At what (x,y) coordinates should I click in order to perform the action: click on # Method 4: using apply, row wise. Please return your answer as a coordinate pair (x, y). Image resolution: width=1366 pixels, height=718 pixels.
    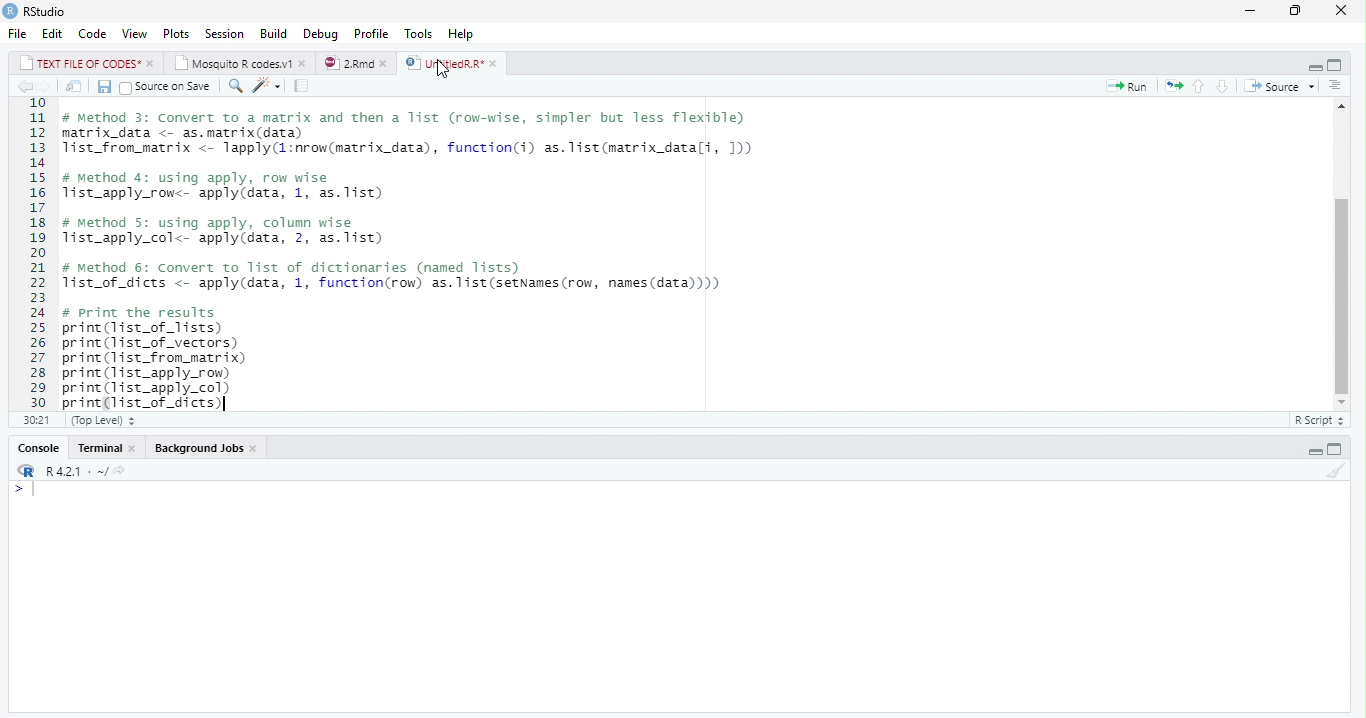
    Looking at the image, I should click on (209, 177).